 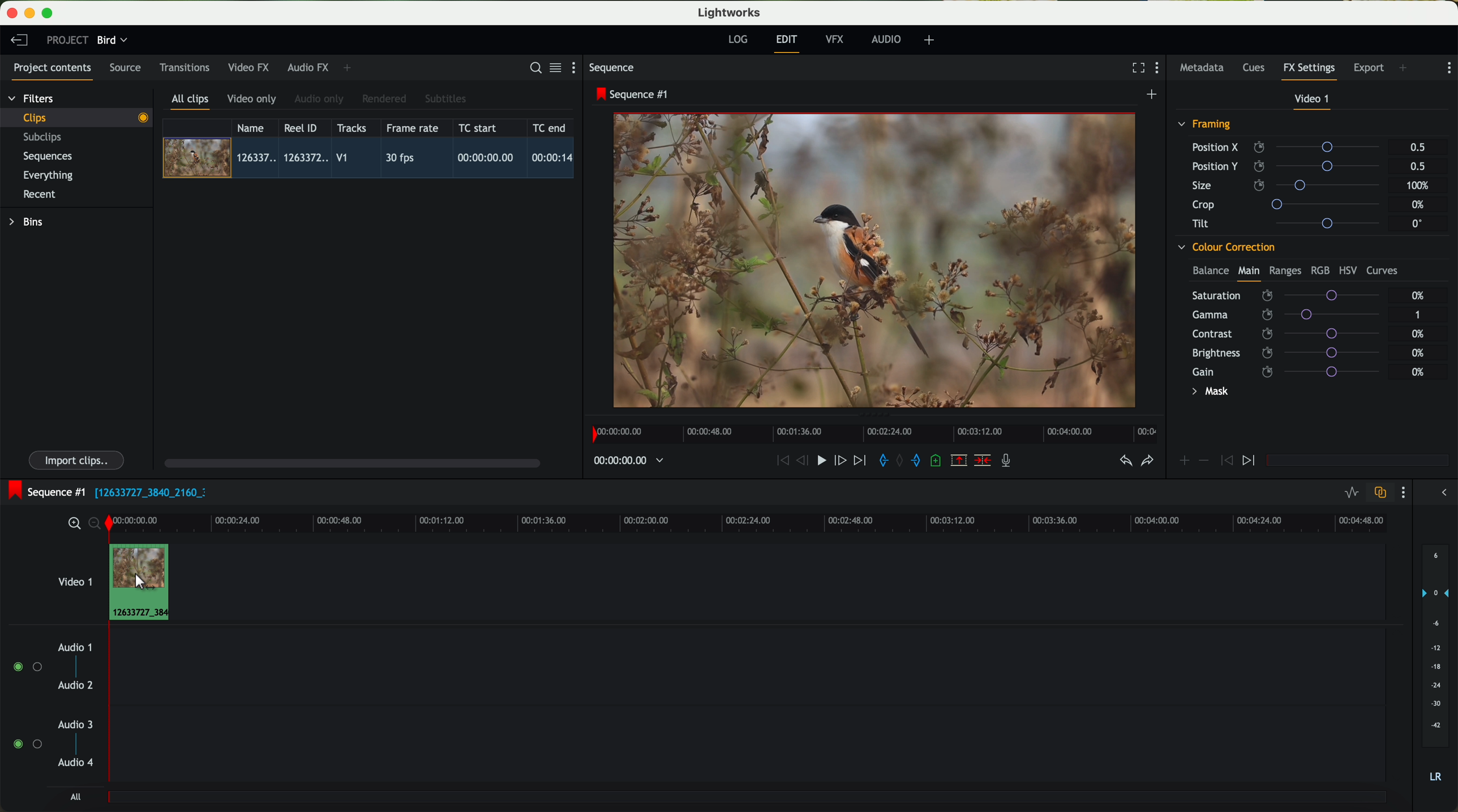 I want to click on contrast, so click(x=1293, y=334).